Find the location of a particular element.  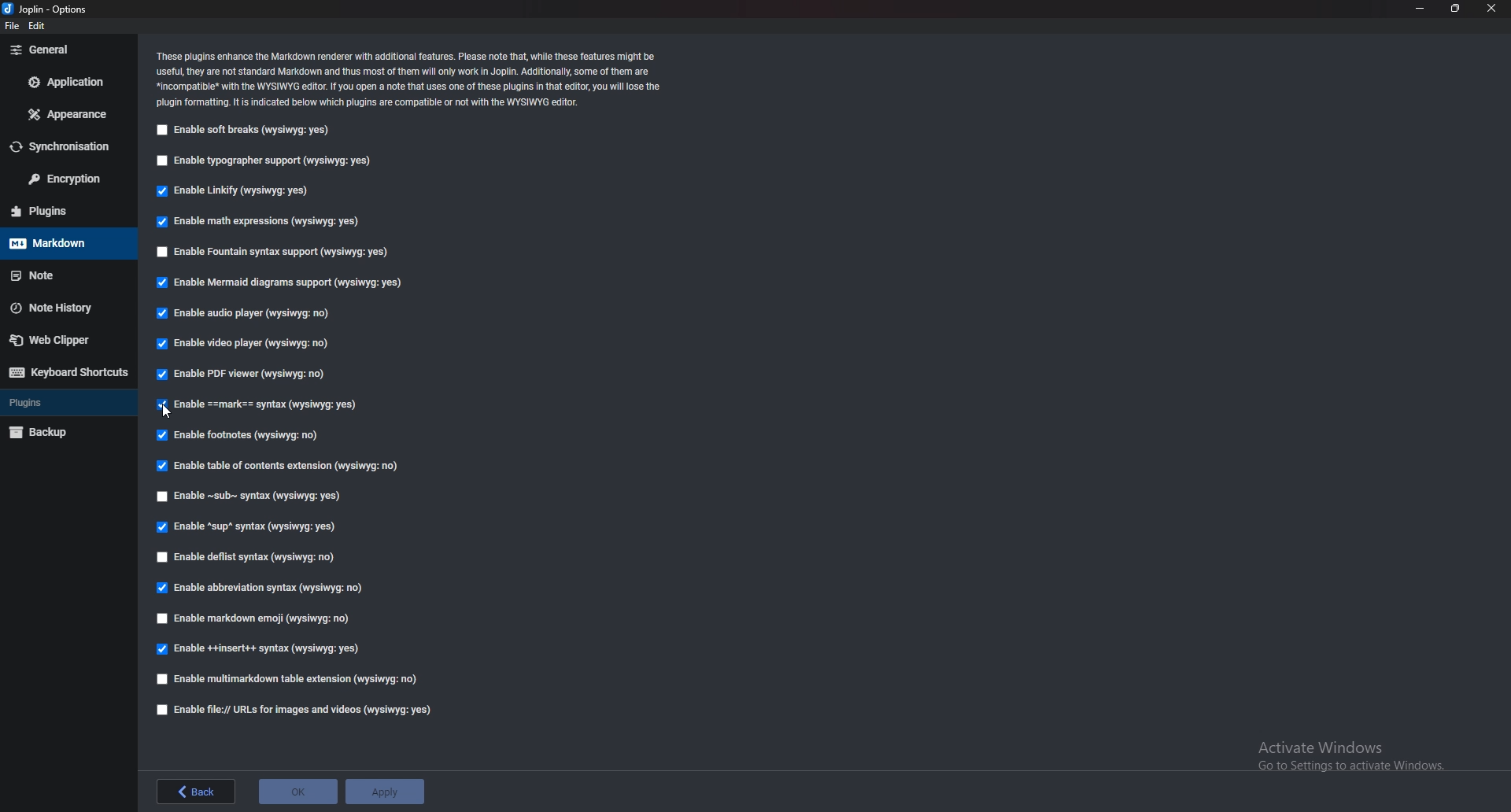

backup is located at coordinates (59, 433).